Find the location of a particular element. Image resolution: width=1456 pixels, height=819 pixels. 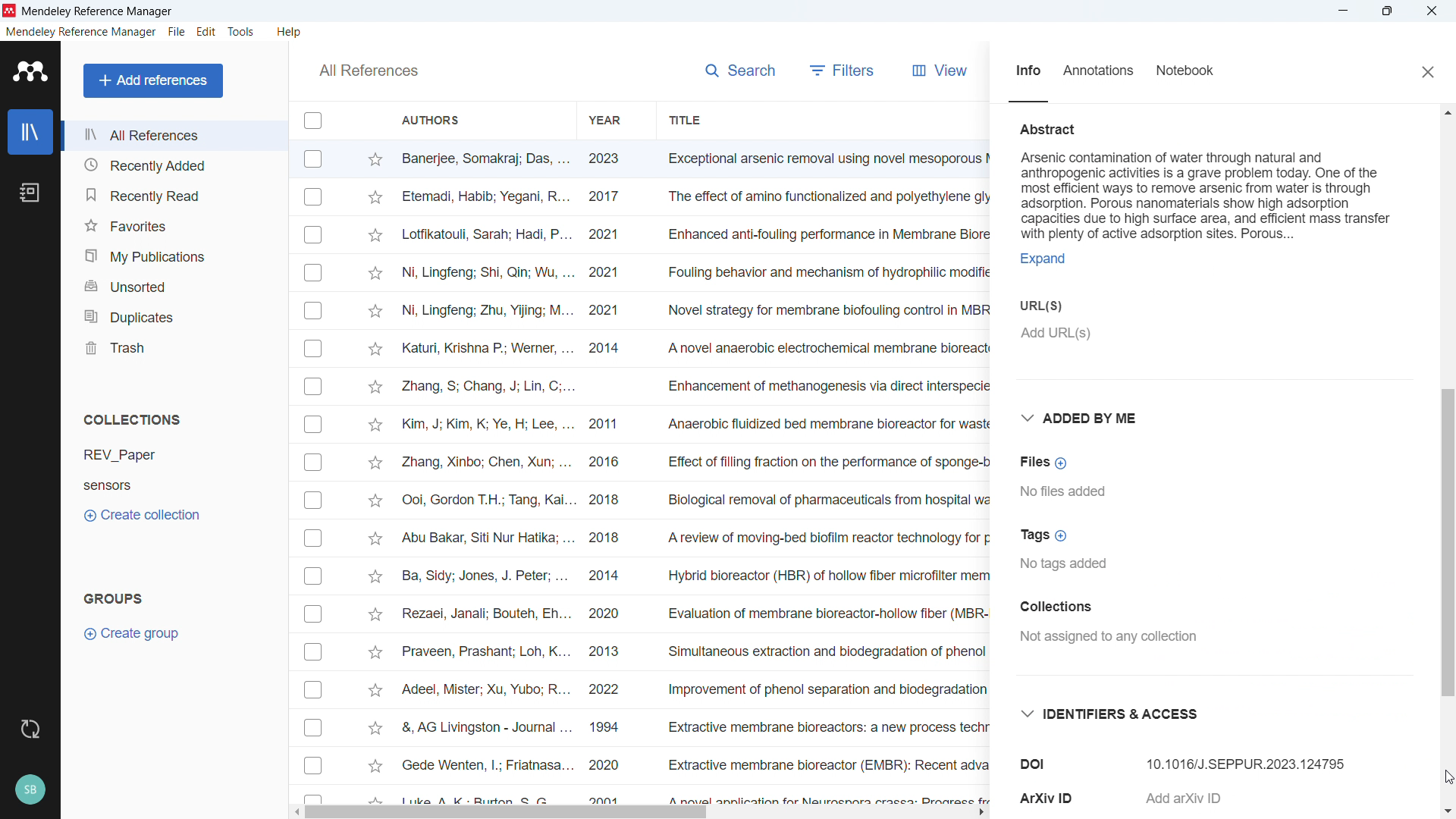

scroll down is located at coordinates (1446, 808).